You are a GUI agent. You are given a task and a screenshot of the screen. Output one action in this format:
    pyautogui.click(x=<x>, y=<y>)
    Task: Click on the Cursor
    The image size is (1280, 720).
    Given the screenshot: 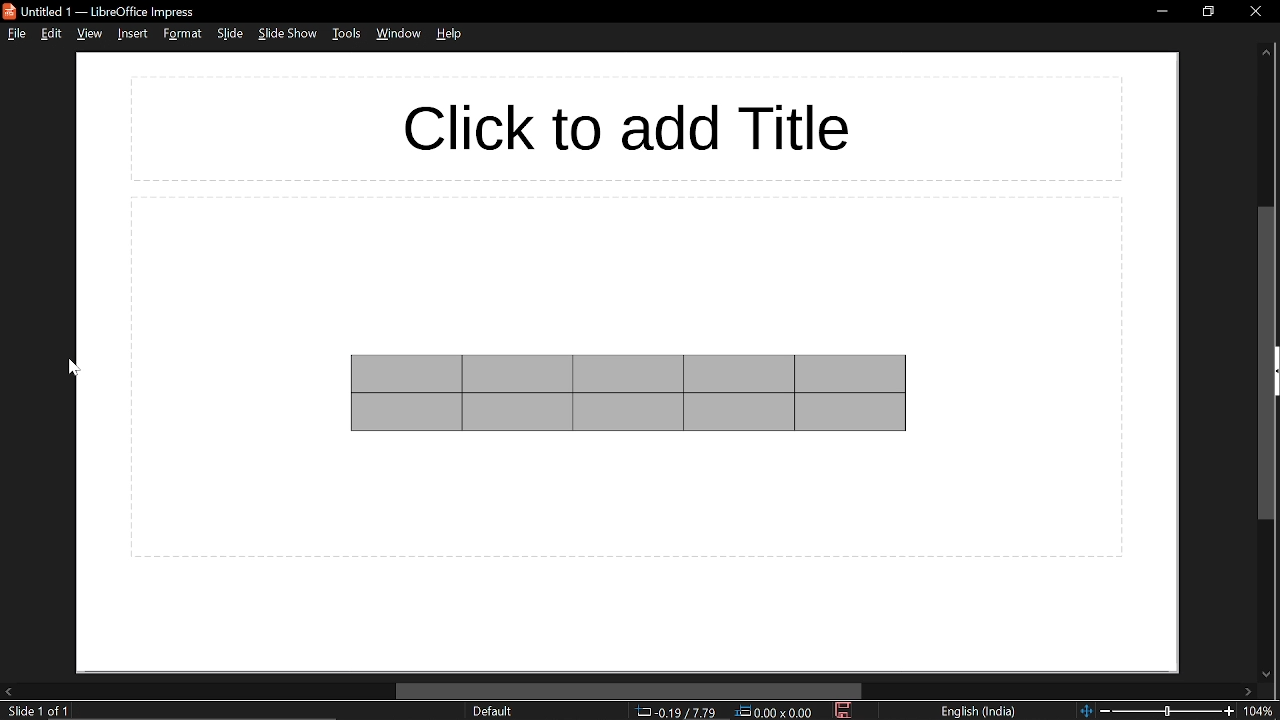 What is the action you would take?
    pyautogui.click(x=74, y=369)
    